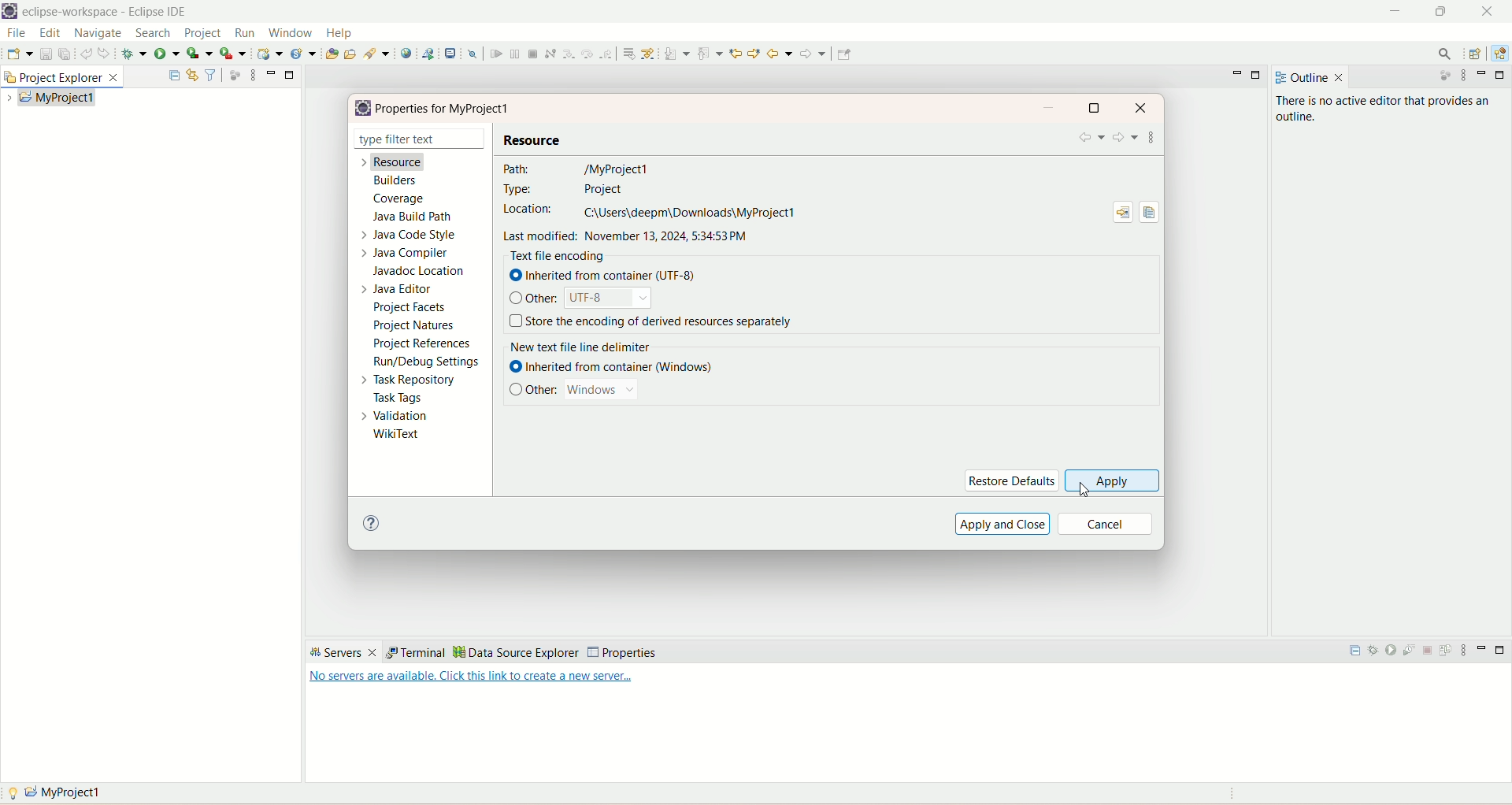 This screenshot has height=805, width=1512. I want to click on minimize, so click(1052, 109).